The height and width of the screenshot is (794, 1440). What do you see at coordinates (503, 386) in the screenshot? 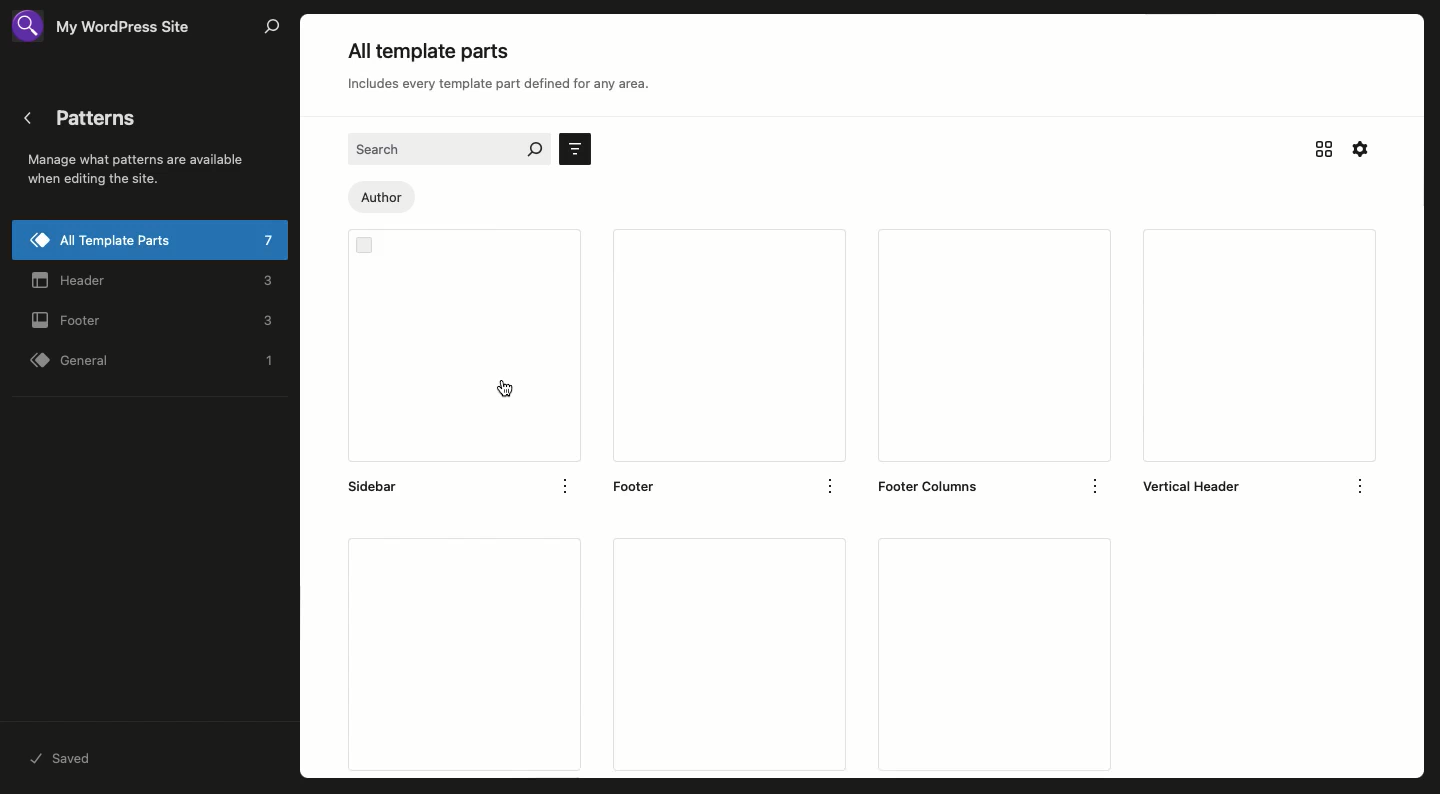
I see `cursor` at bounding box center [503, 386].